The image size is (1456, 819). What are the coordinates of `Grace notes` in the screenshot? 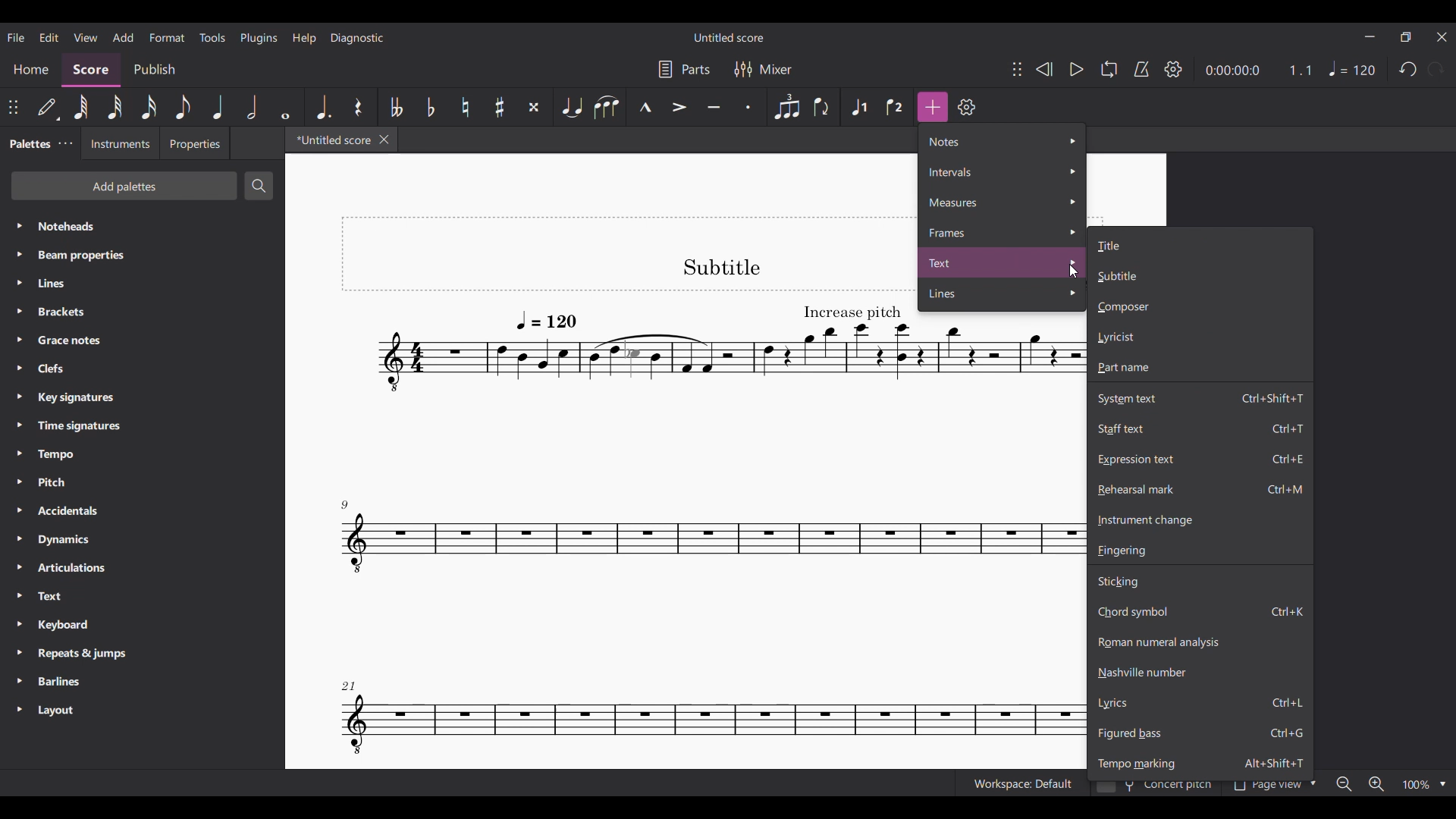 It's located at (142, 340).